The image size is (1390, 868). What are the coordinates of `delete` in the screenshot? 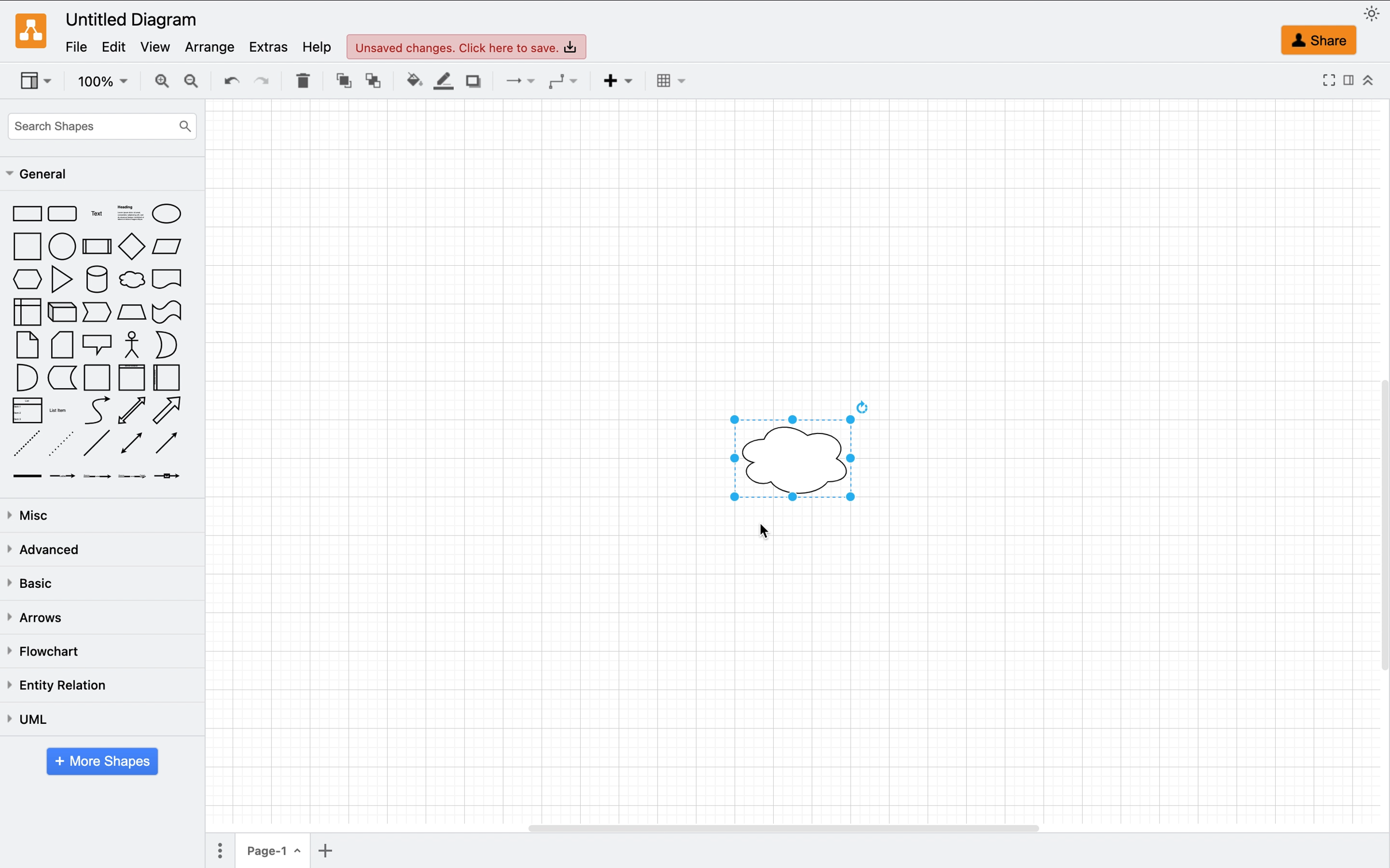 It's located at (300, 82).